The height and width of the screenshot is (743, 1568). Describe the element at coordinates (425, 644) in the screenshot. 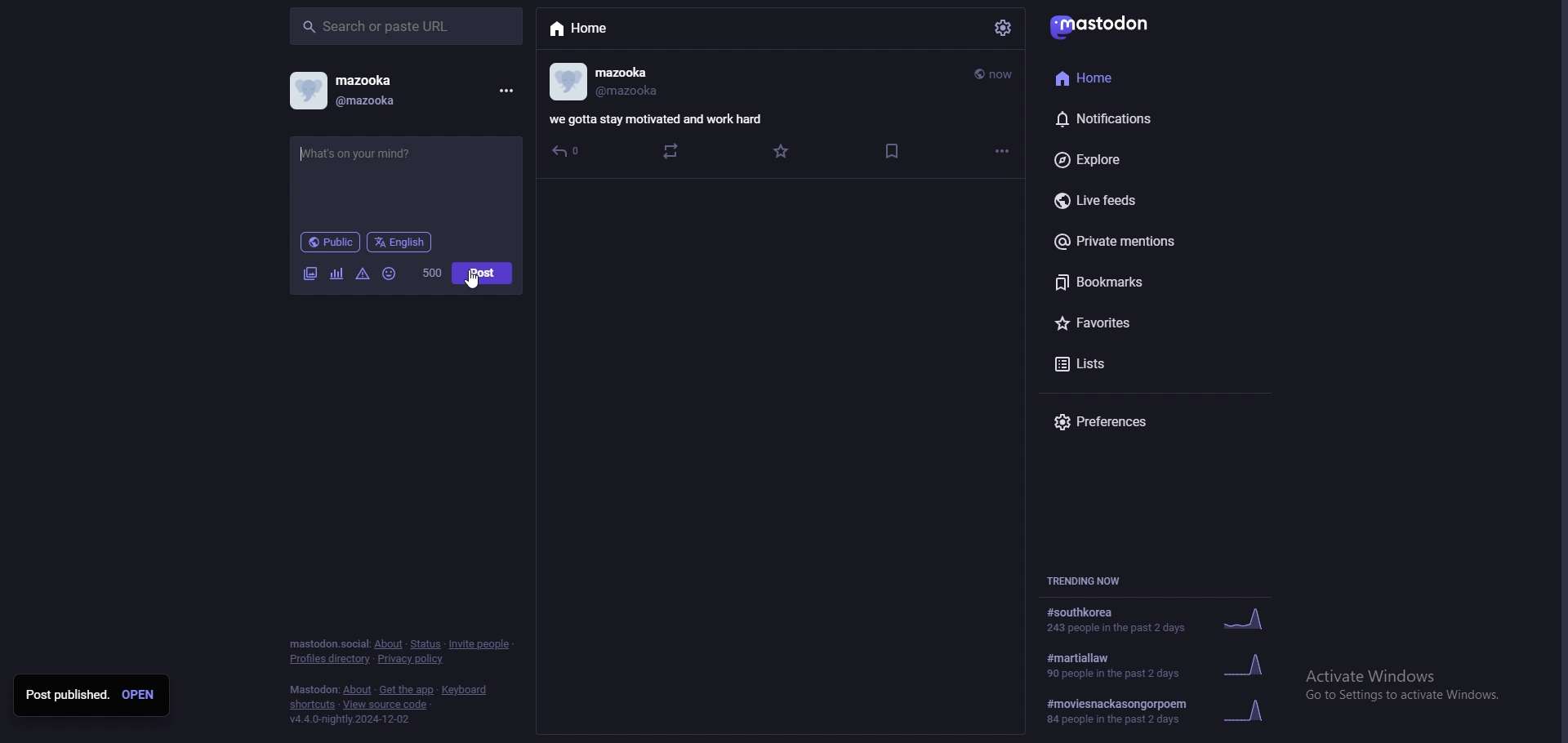

I see `status` at that location.